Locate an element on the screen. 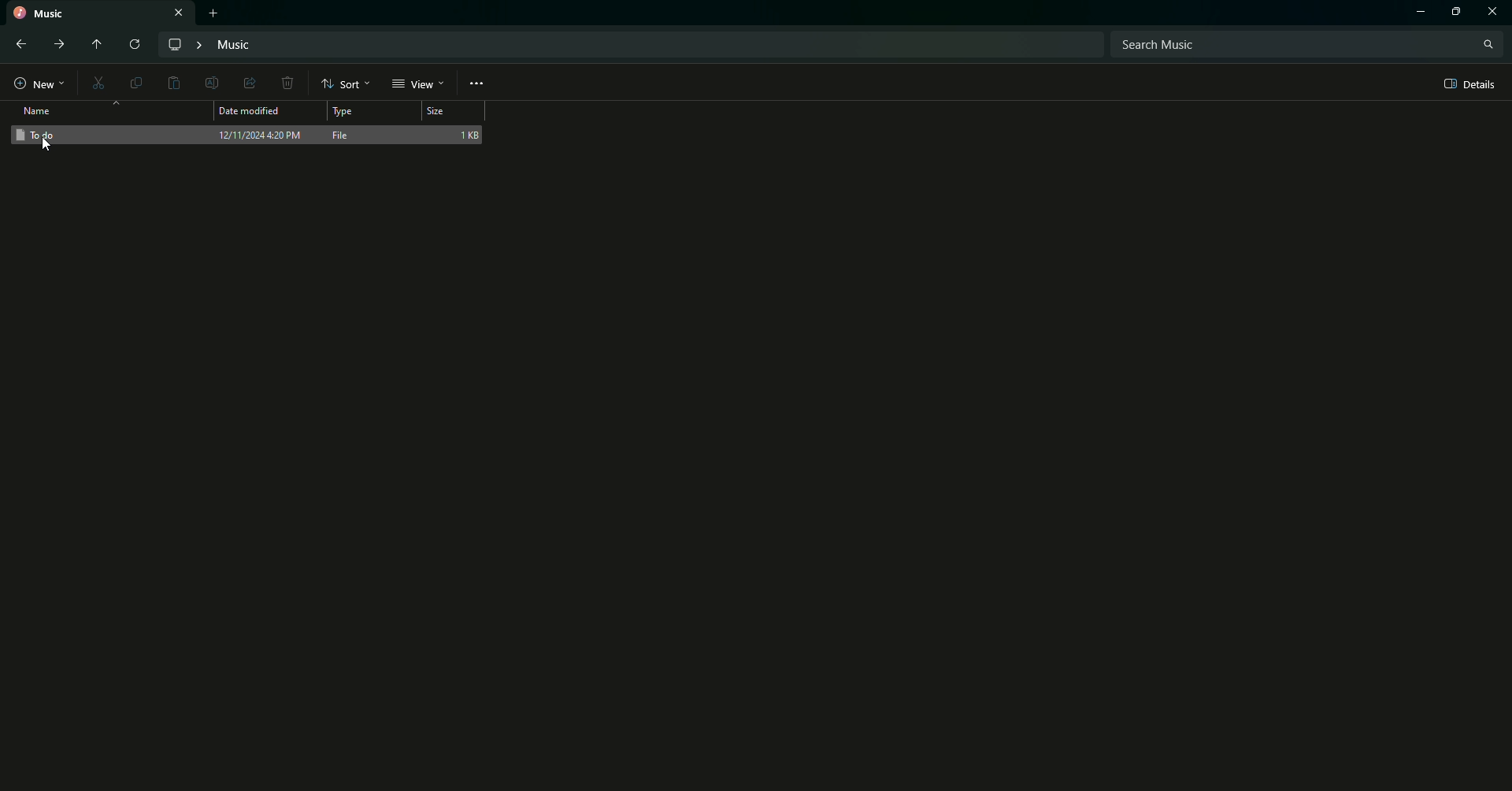  Cut is located at coordinates (98, 84).